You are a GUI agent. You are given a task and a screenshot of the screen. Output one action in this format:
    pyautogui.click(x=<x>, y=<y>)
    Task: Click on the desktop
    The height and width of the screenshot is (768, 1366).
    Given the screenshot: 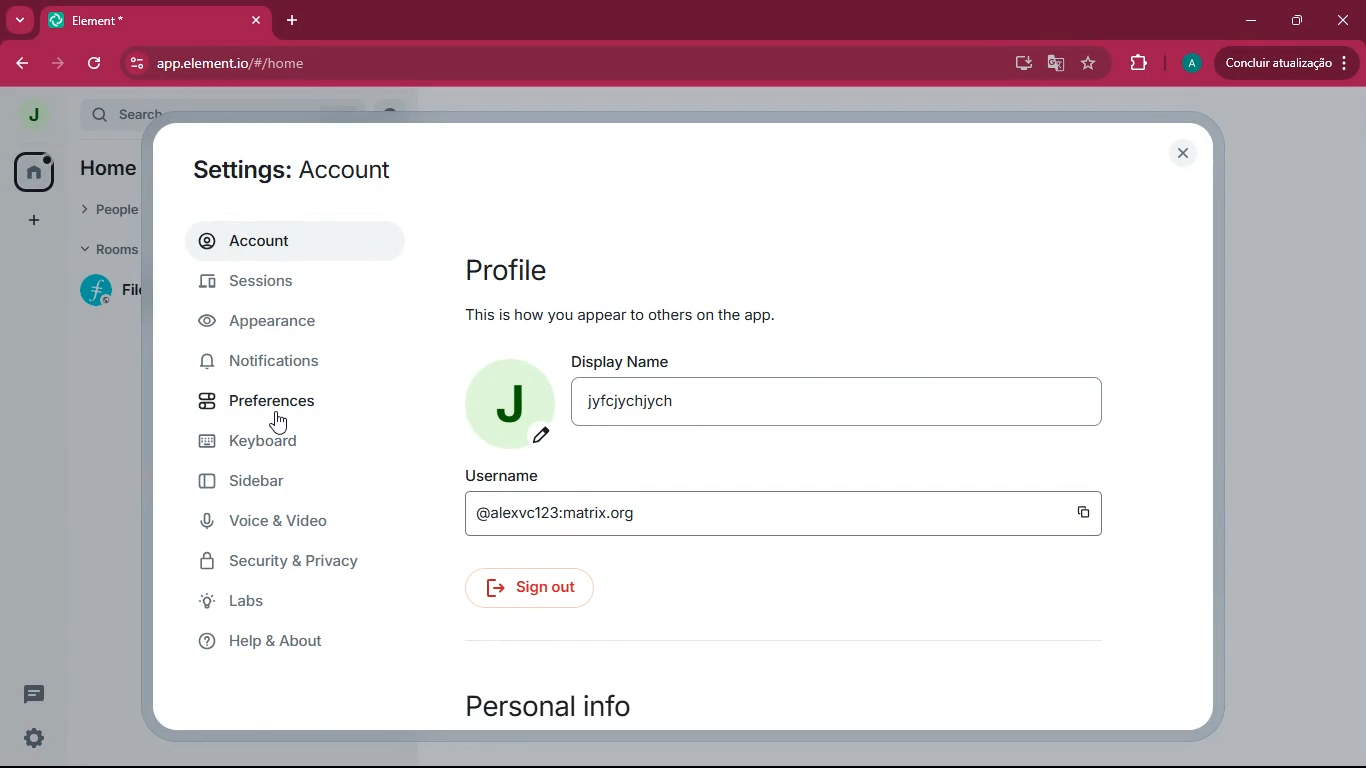 What is the action you would take?
    pyautogui.click(x=1018, y=65)
    